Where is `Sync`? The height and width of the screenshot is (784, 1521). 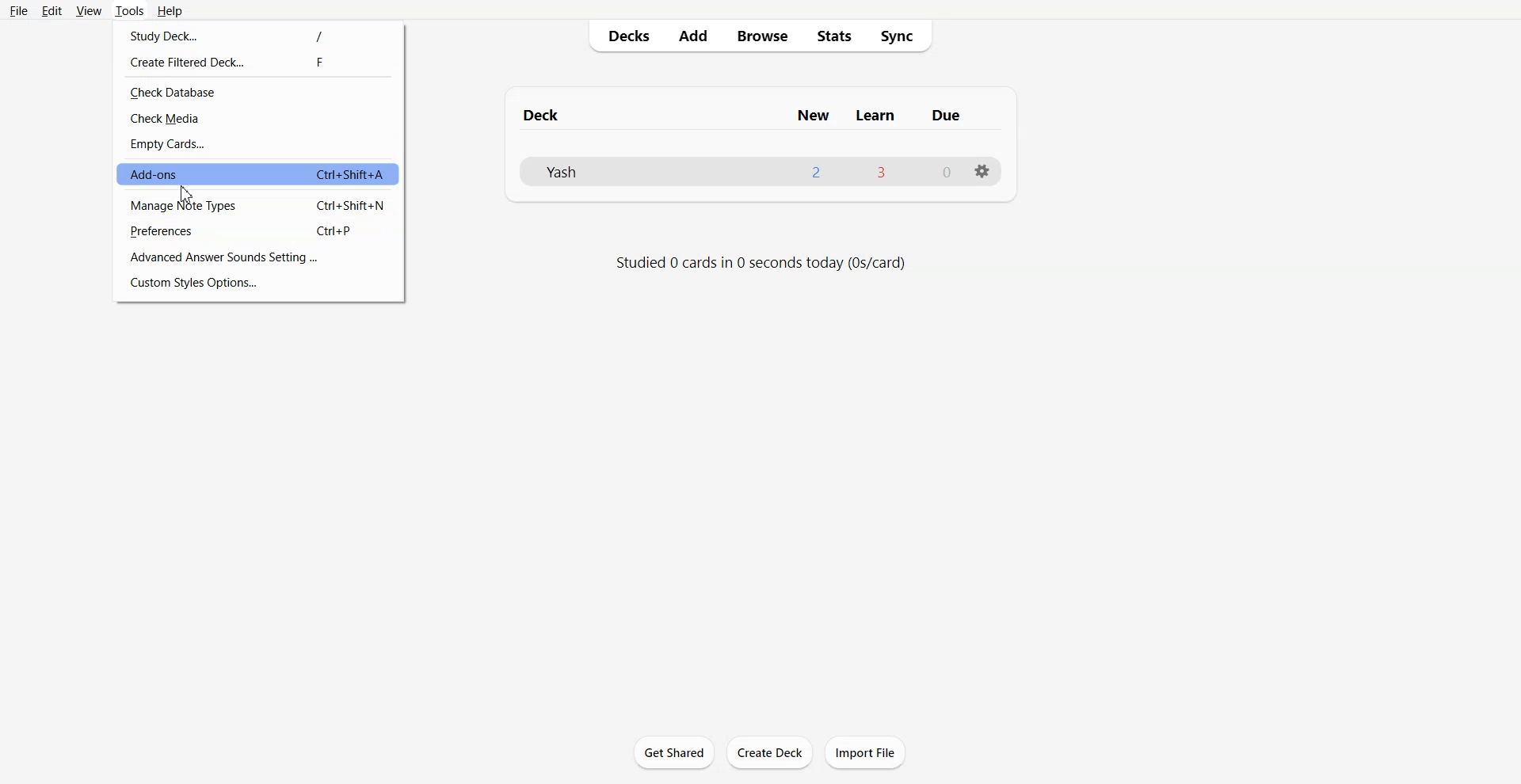 Sync is located at coordinates (902, 36).